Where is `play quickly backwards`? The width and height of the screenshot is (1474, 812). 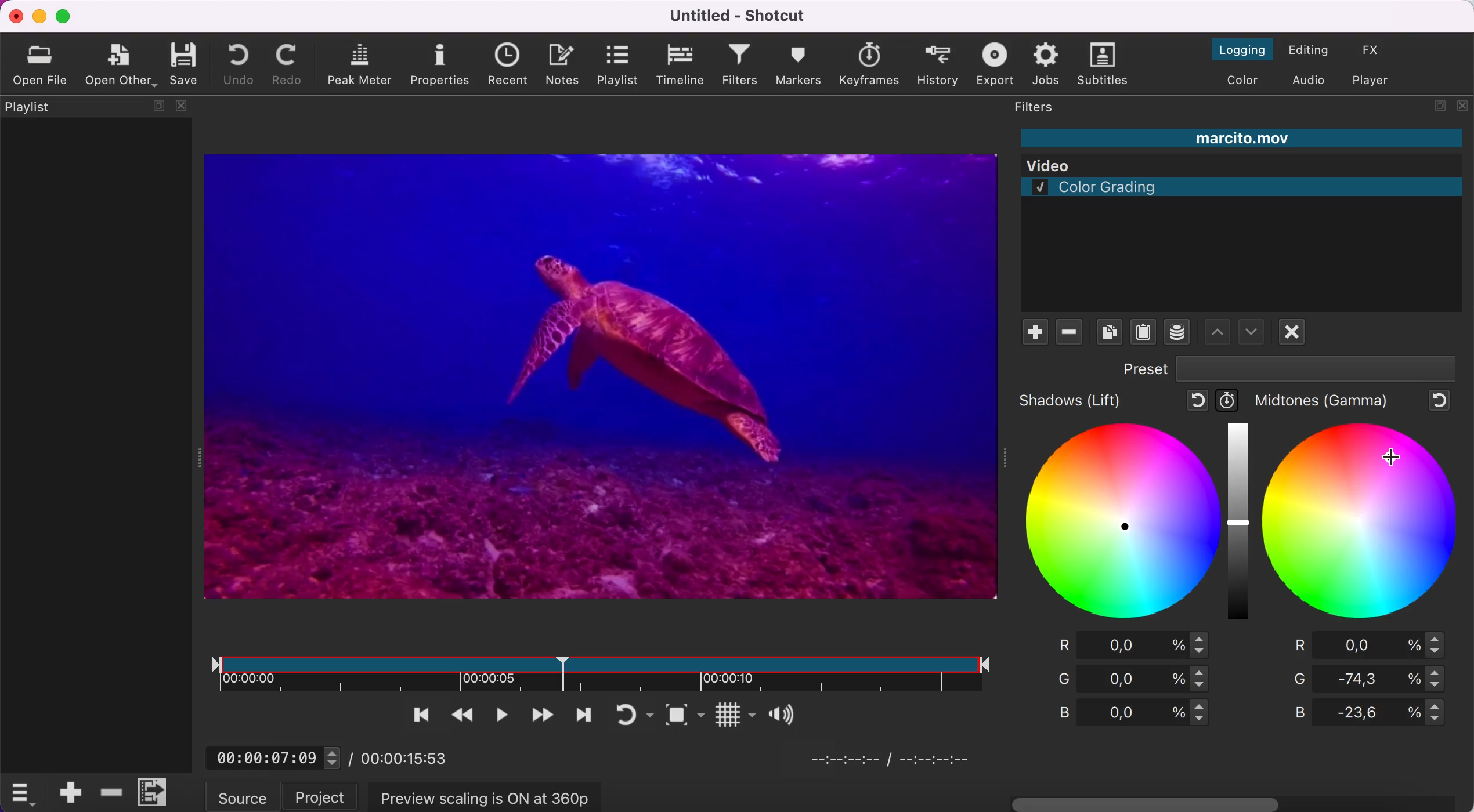
play quickly backwards is located at coordinates (460, 715).